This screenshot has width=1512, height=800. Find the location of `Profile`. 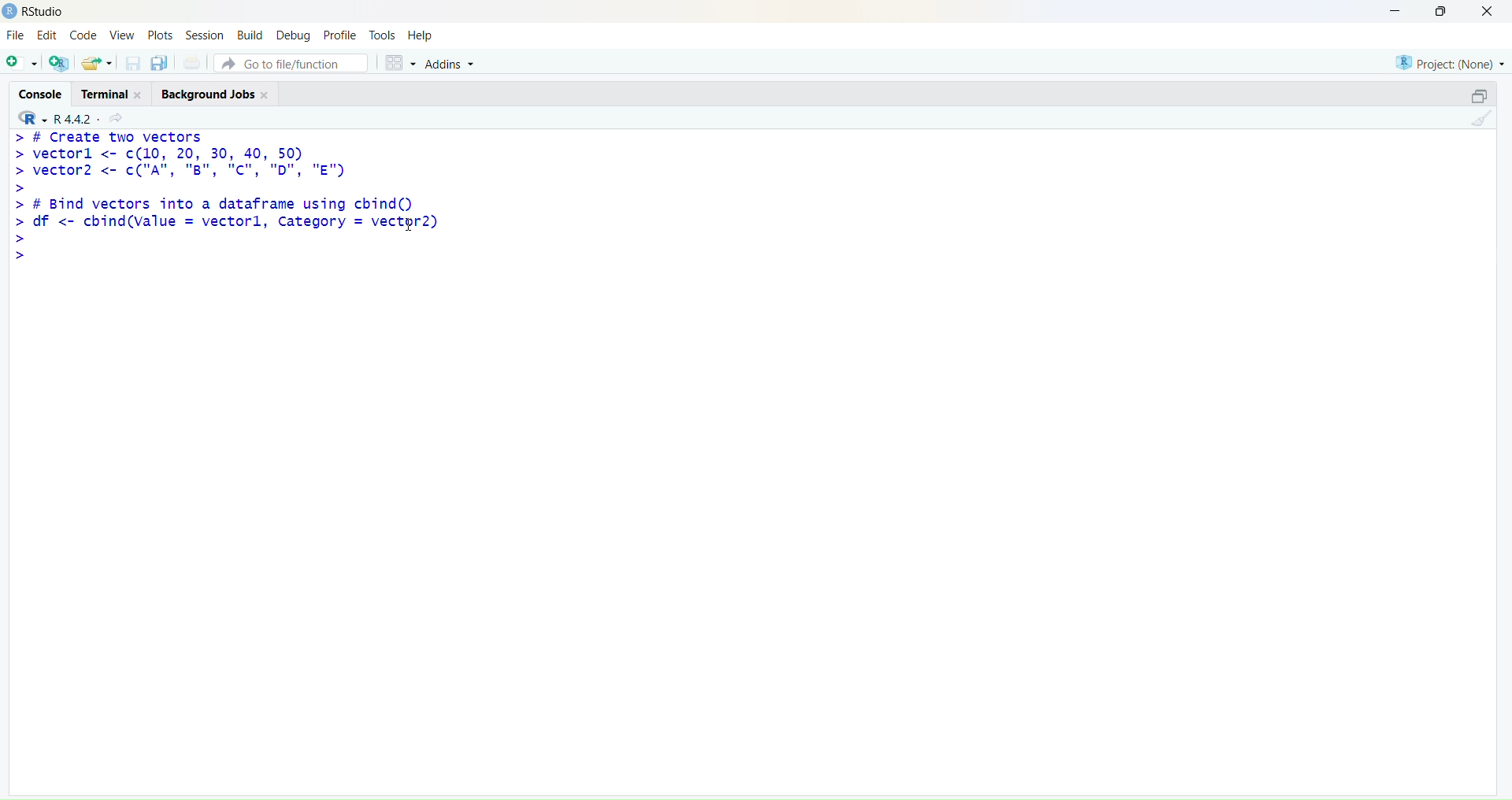

Profile is located at coordinates (339, 34).